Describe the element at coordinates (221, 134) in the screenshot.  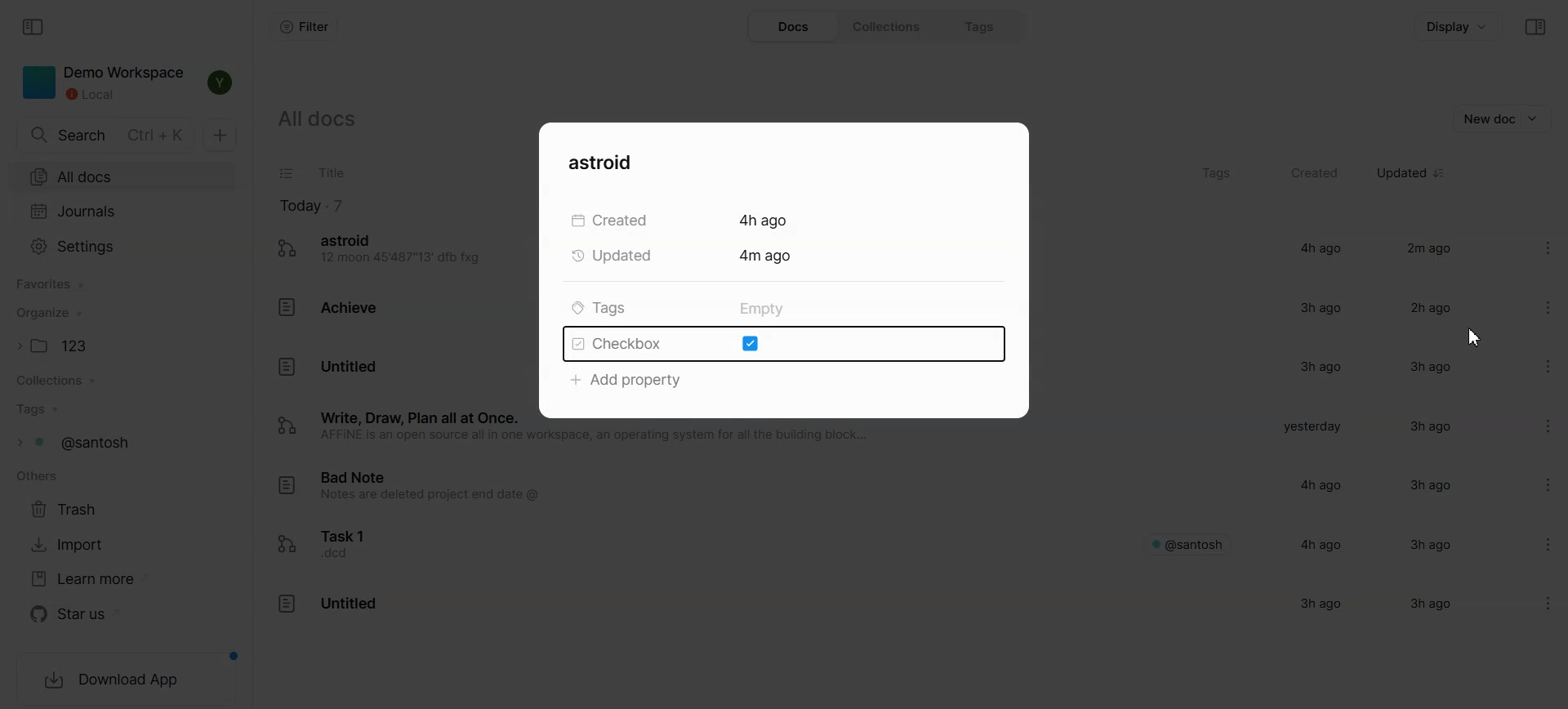
I see `New doc` at that location.